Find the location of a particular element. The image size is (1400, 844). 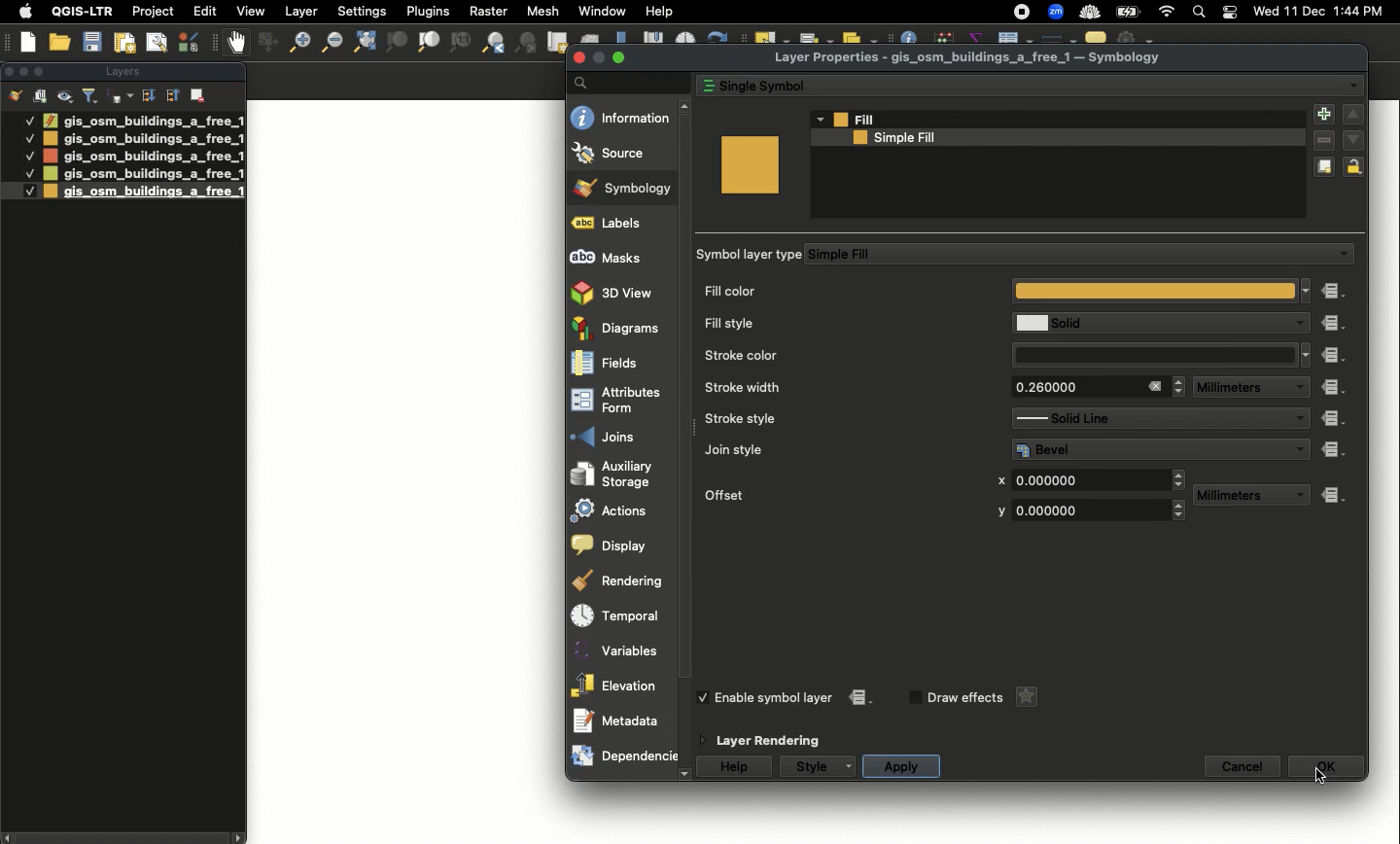

Stroke style is located at coordinates (837, 419).